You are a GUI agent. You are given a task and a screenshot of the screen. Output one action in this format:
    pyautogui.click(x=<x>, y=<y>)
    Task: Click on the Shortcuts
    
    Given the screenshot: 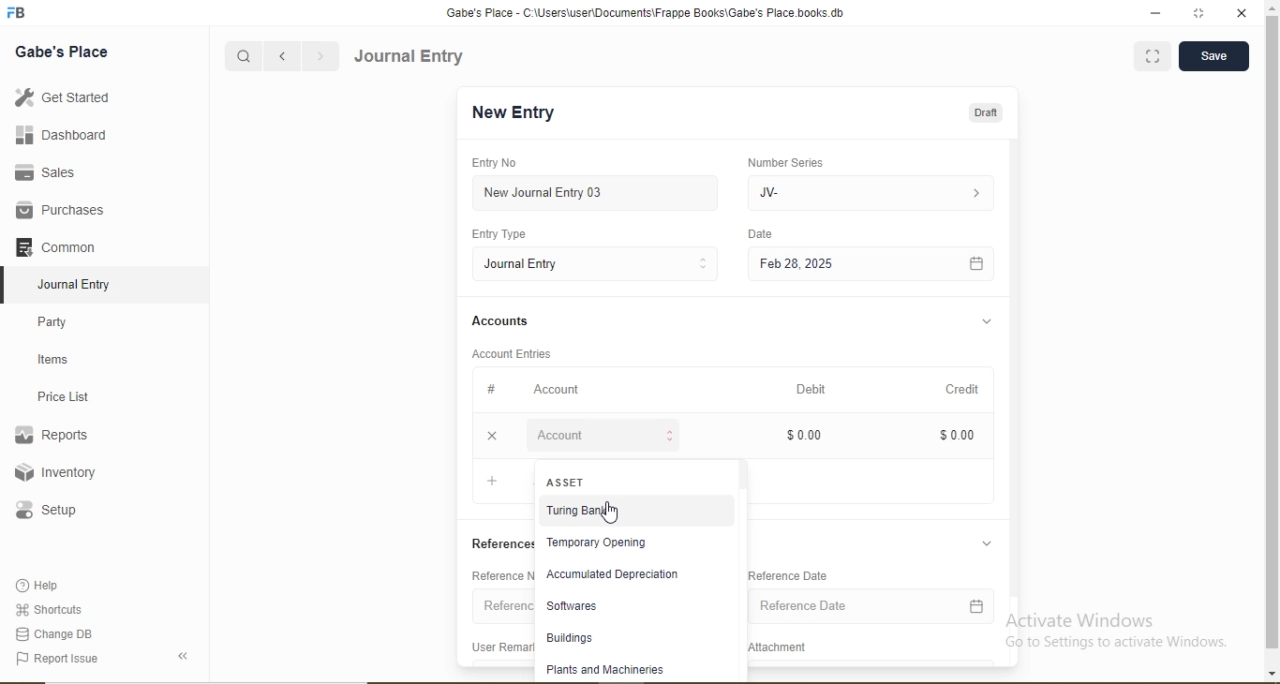 What is the action you would take?
    pyautogui.click(x=47, y=609)
    